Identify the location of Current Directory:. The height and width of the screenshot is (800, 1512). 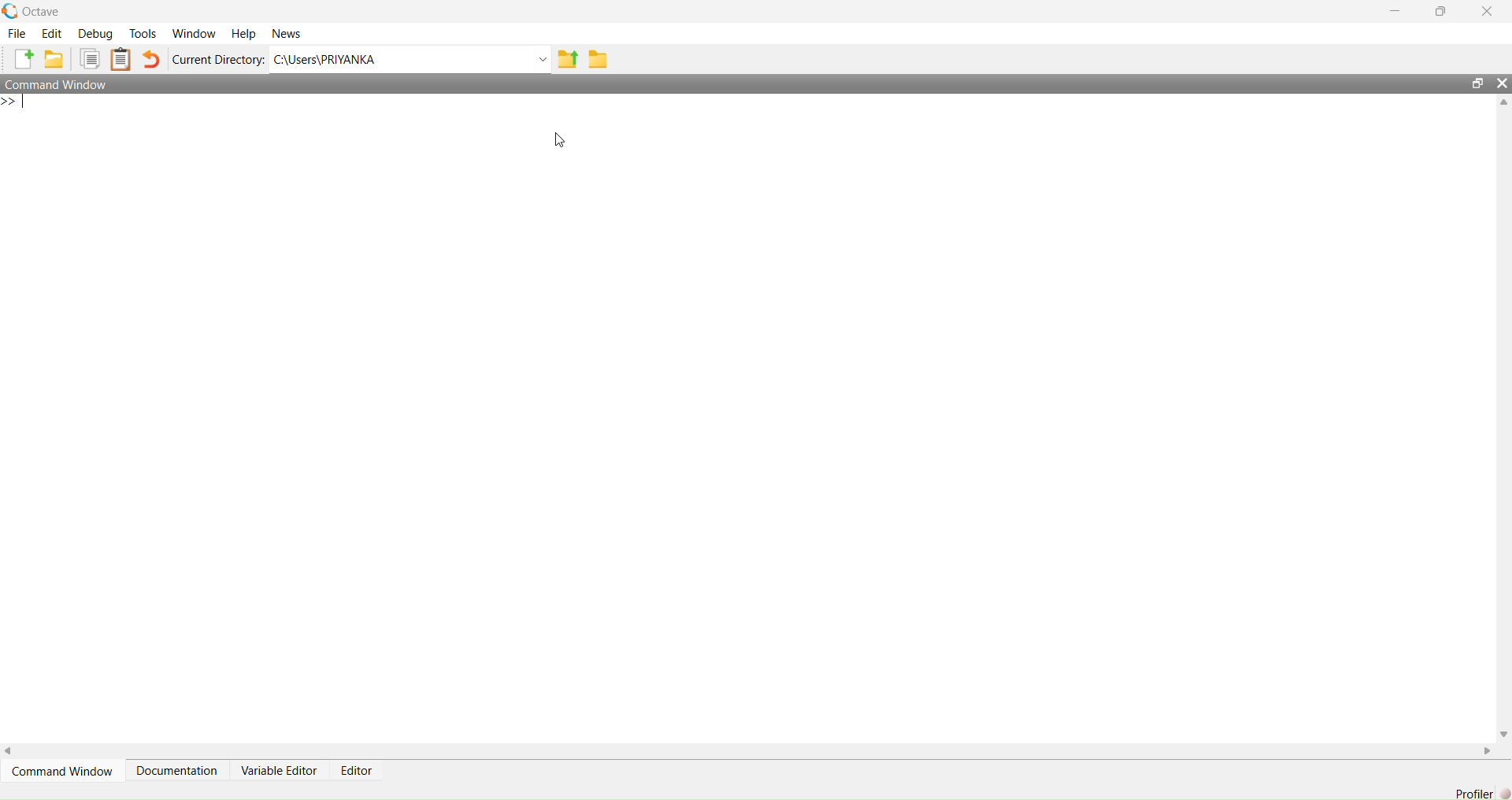
(218, 59).